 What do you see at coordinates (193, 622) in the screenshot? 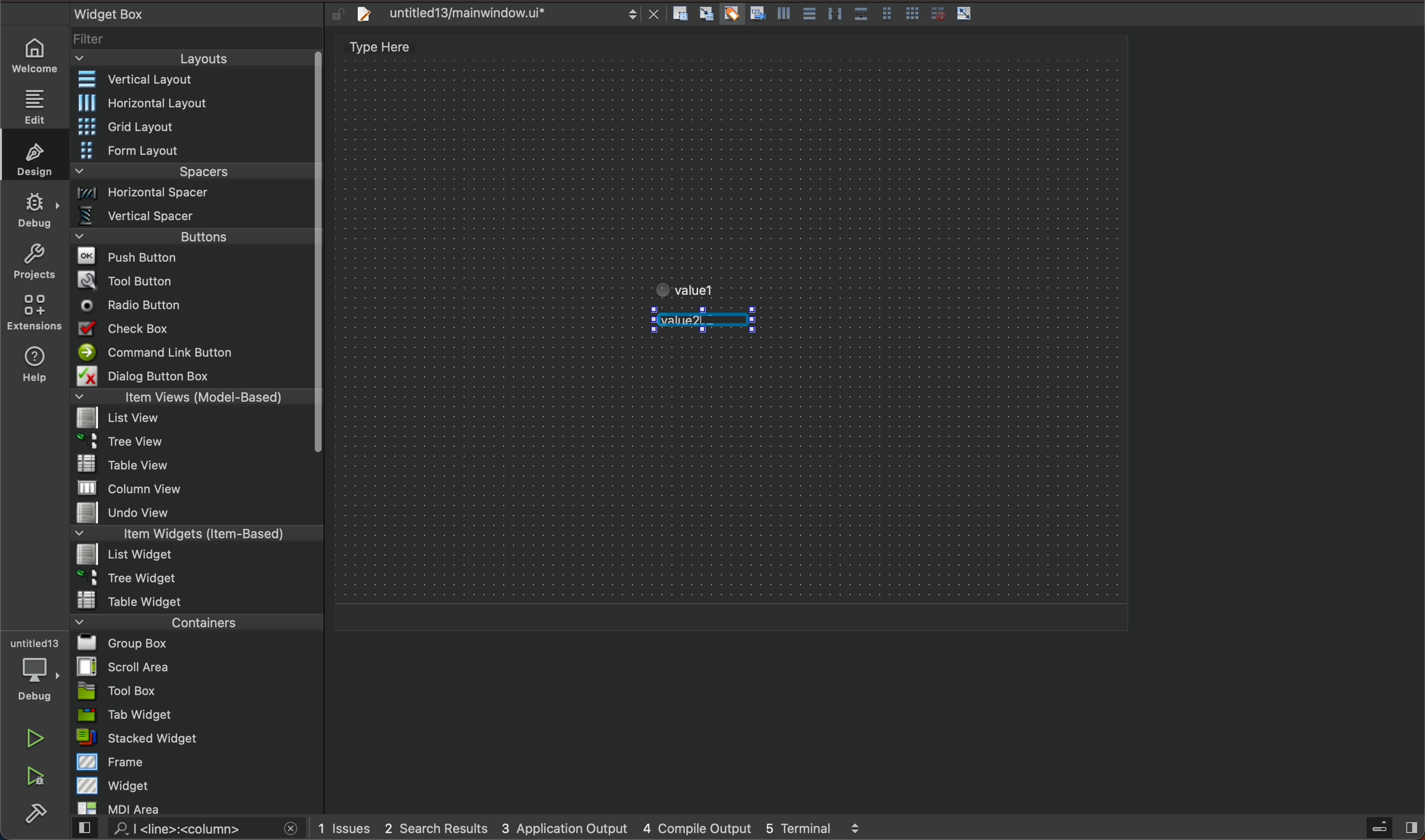
I see `containers` at bounding box center [193, 622].